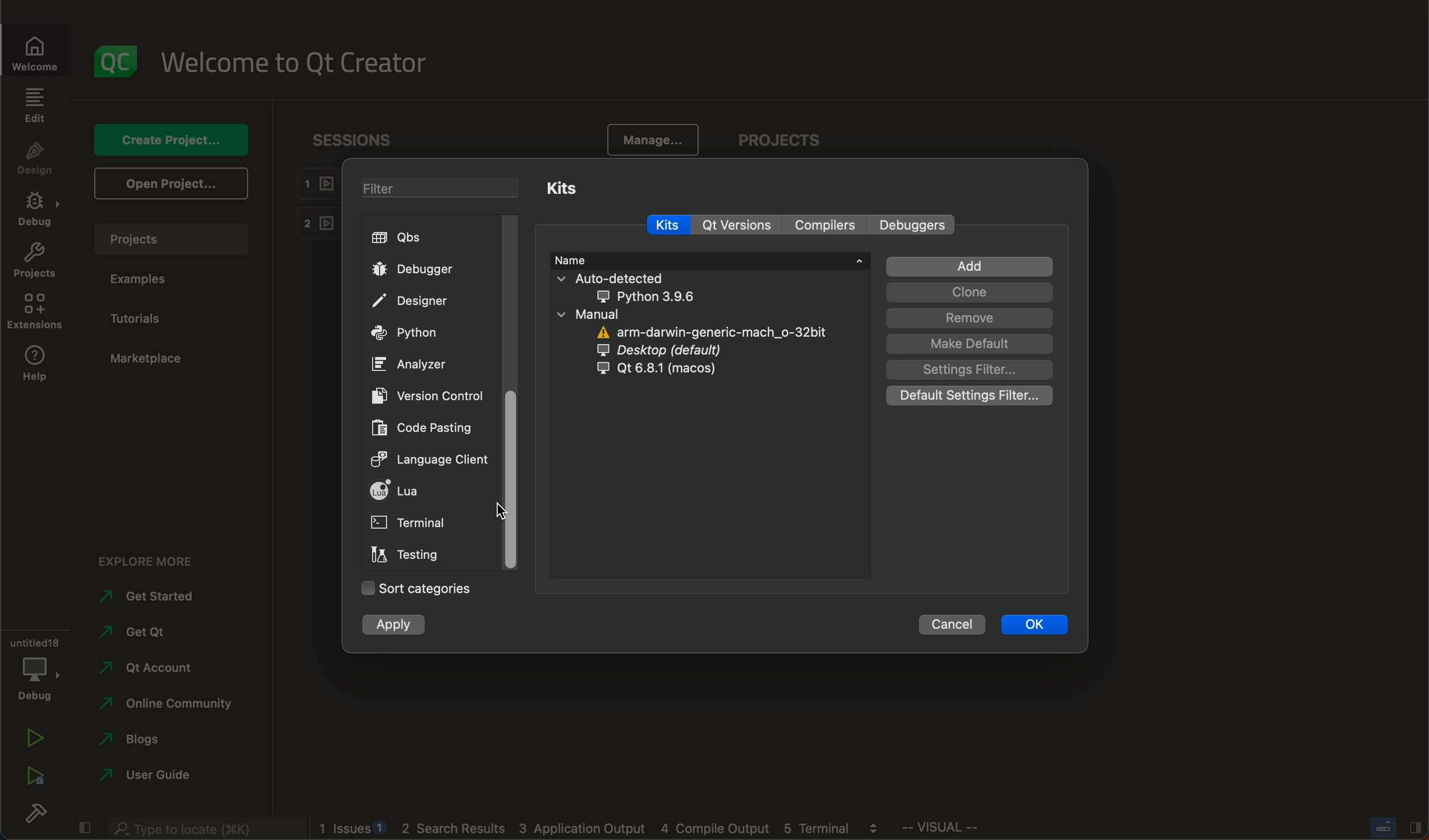 The image size is (1429, 840). What do you see at coordinates (980, 830) in the screenshot?
I see `visual` at bounding box center [980, 830].